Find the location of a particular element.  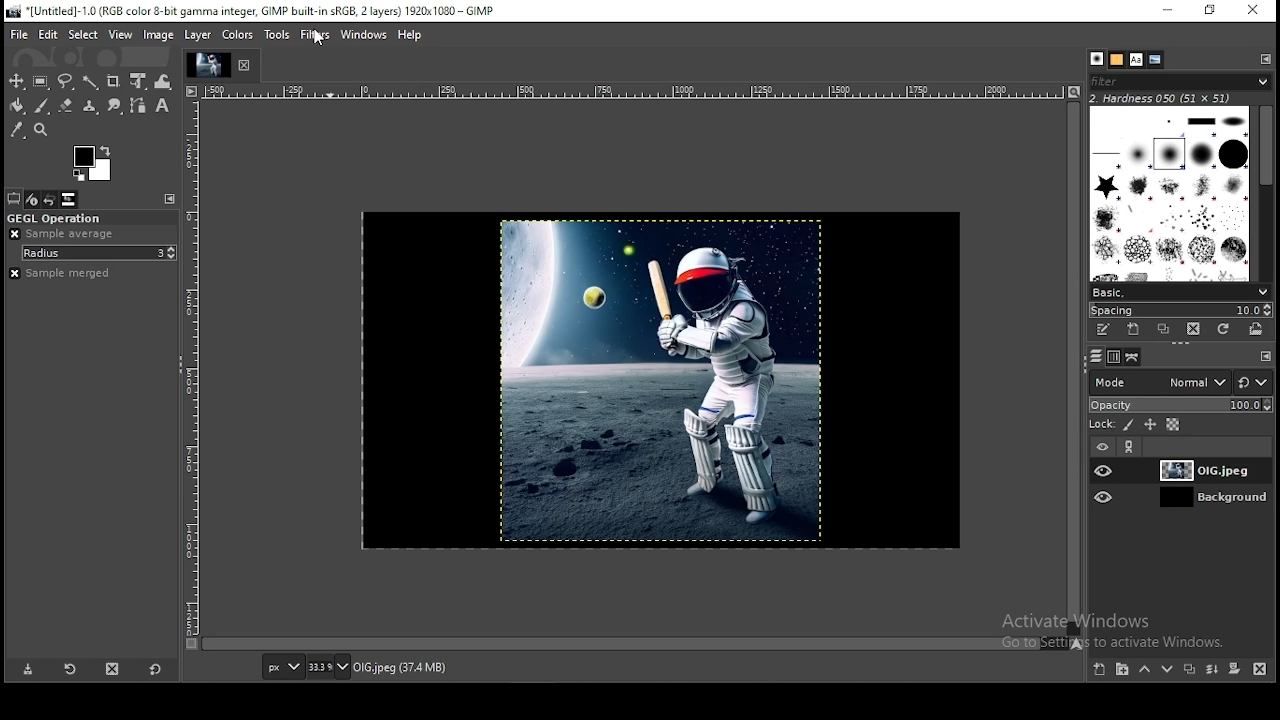

layer is located at coordinates (200, 35).